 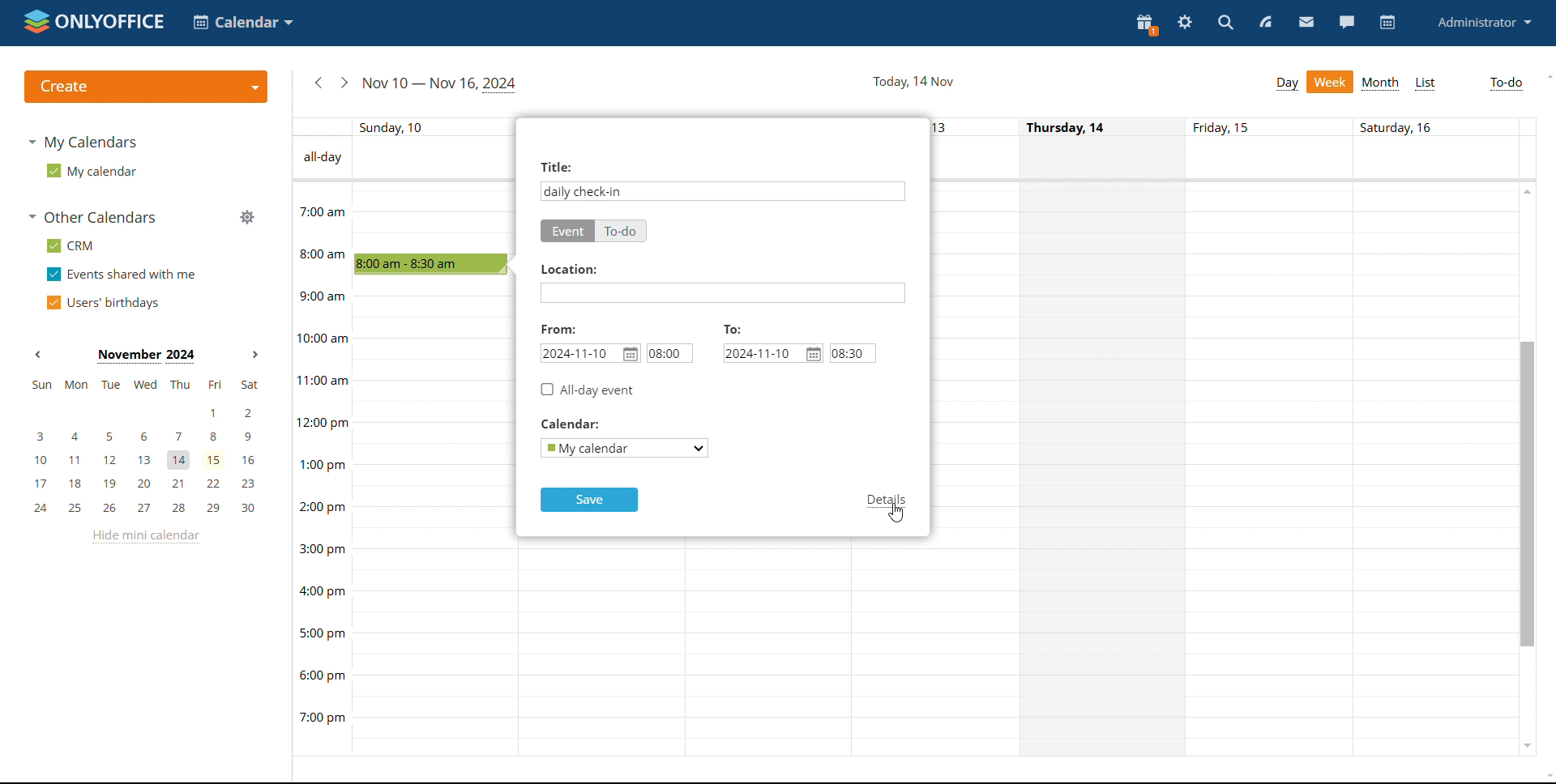 I want to click on previous week, so click(x=316, y=83).